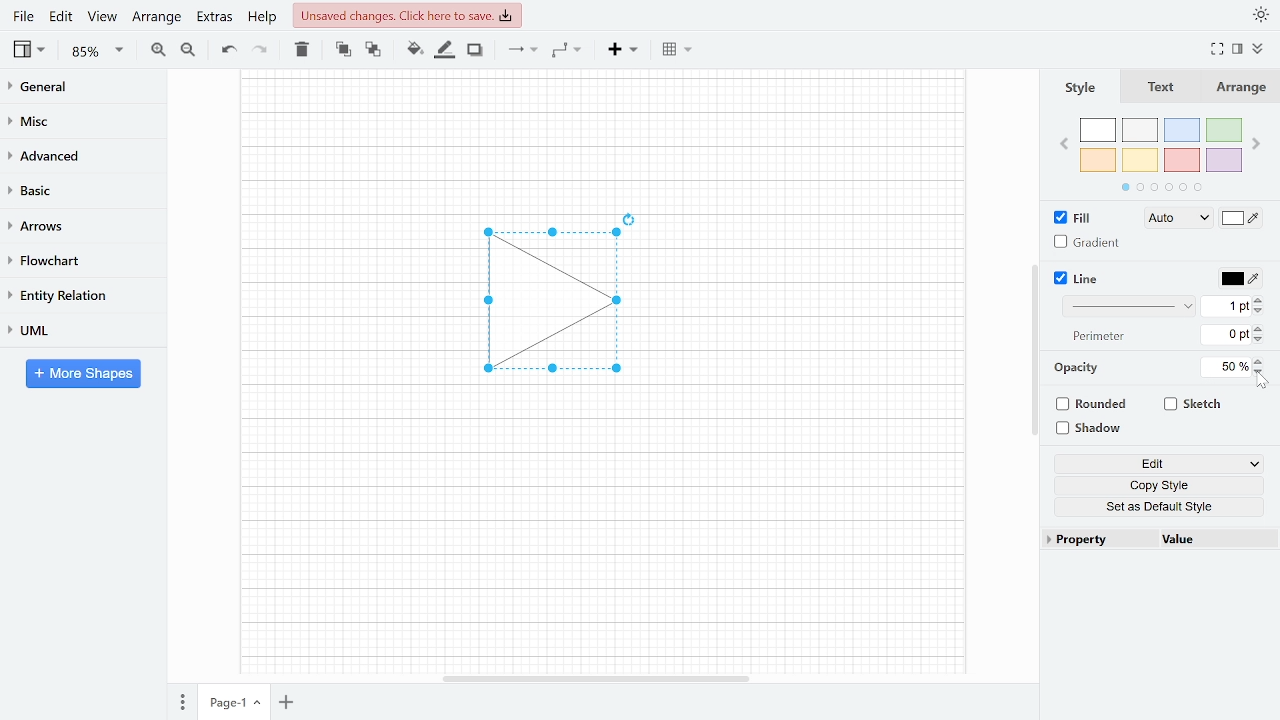 The width and height of the screenshot is (1280, 720). What do you see at coordinates (1098, 540) in the screenshot?
I see `Property` at bounding box center [1098, 540].